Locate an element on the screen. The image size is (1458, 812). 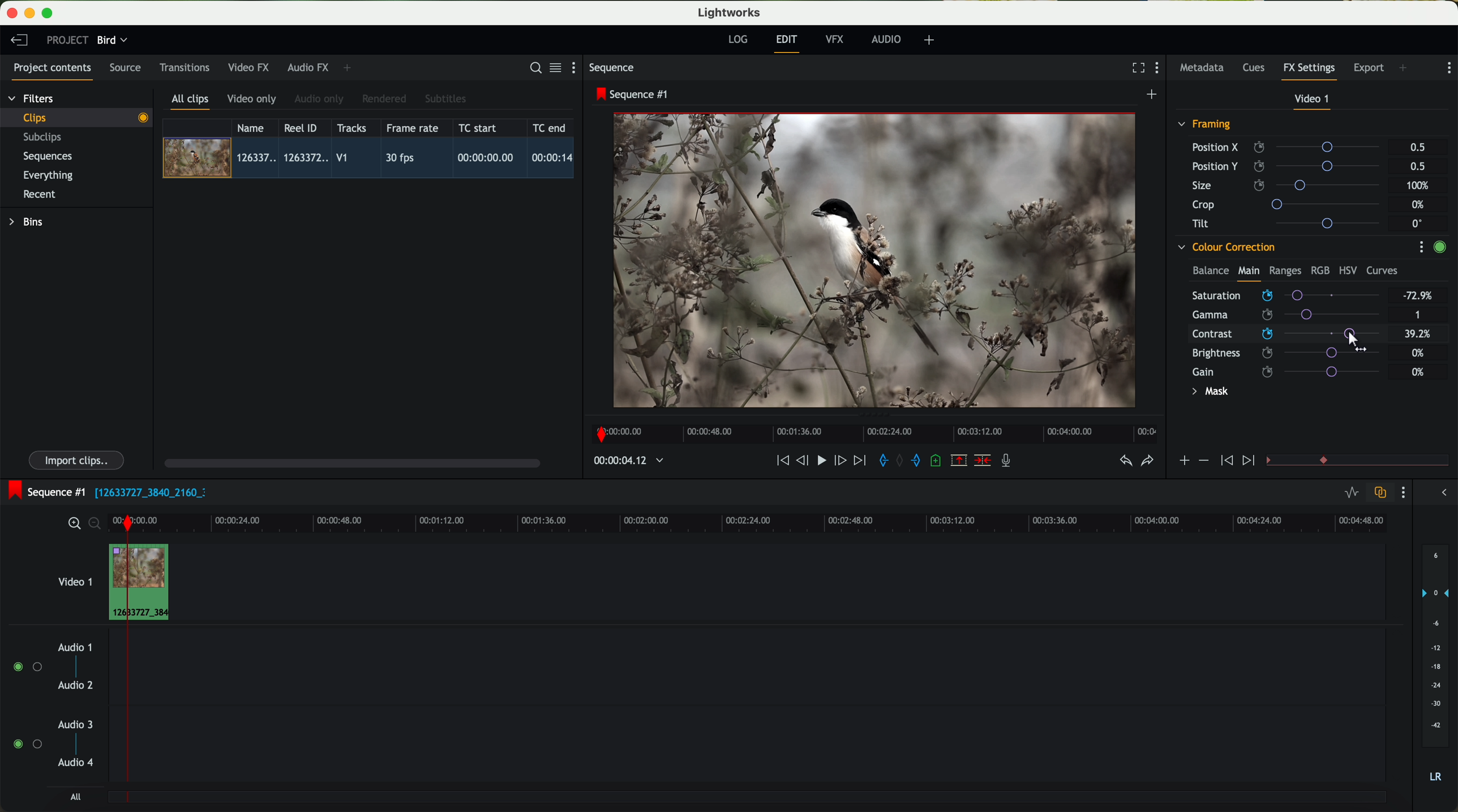
subclips is located at coordinates (45, 138).